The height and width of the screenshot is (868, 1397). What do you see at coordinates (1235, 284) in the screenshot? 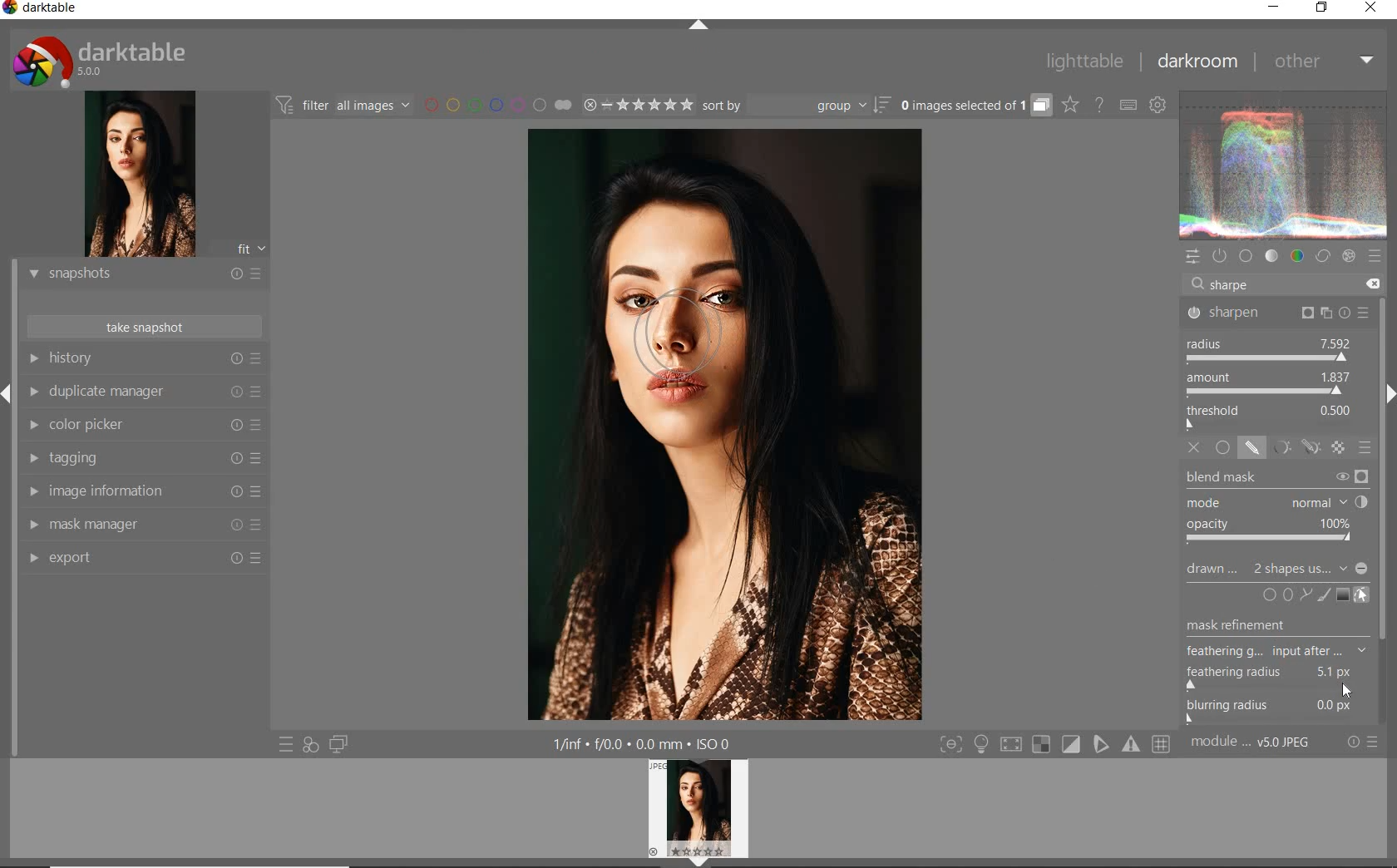
I see `INPUT VALUE` at bounding box center [1235, 284].